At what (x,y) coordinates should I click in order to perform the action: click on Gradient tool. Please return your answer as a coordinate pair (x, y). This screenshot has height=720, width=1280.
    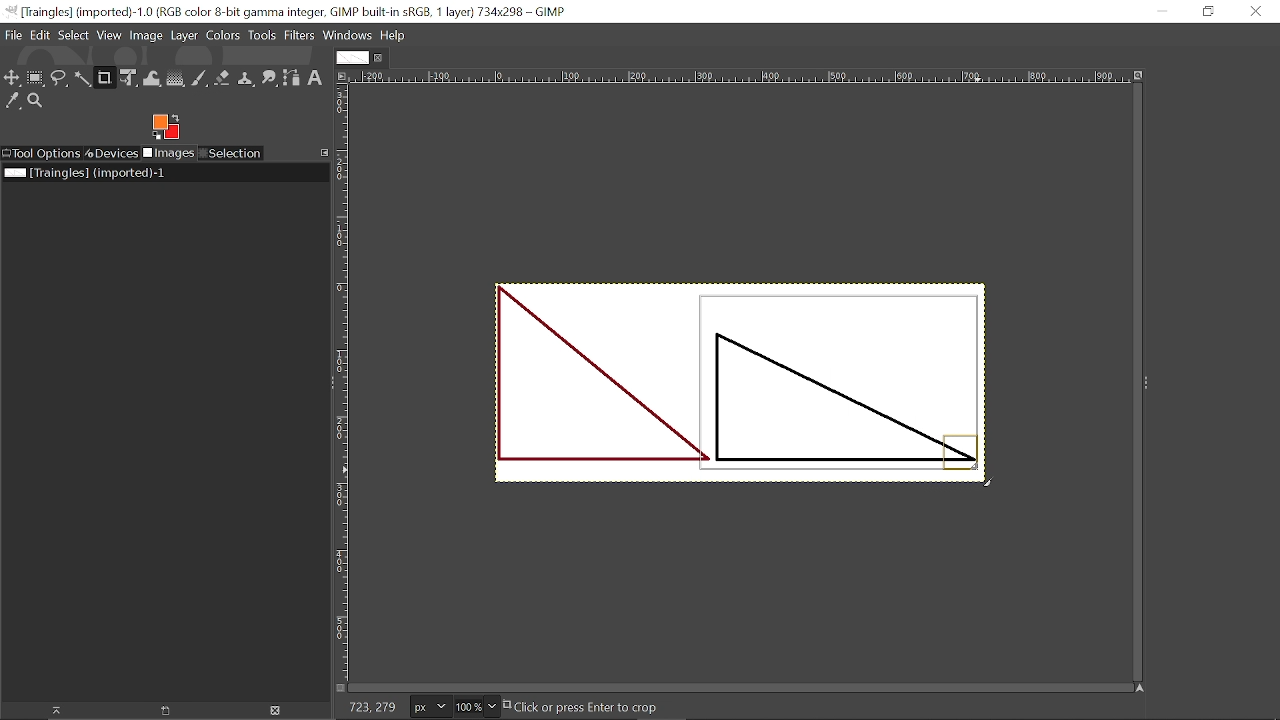
    Looking at the image, I should click on (176, 78).